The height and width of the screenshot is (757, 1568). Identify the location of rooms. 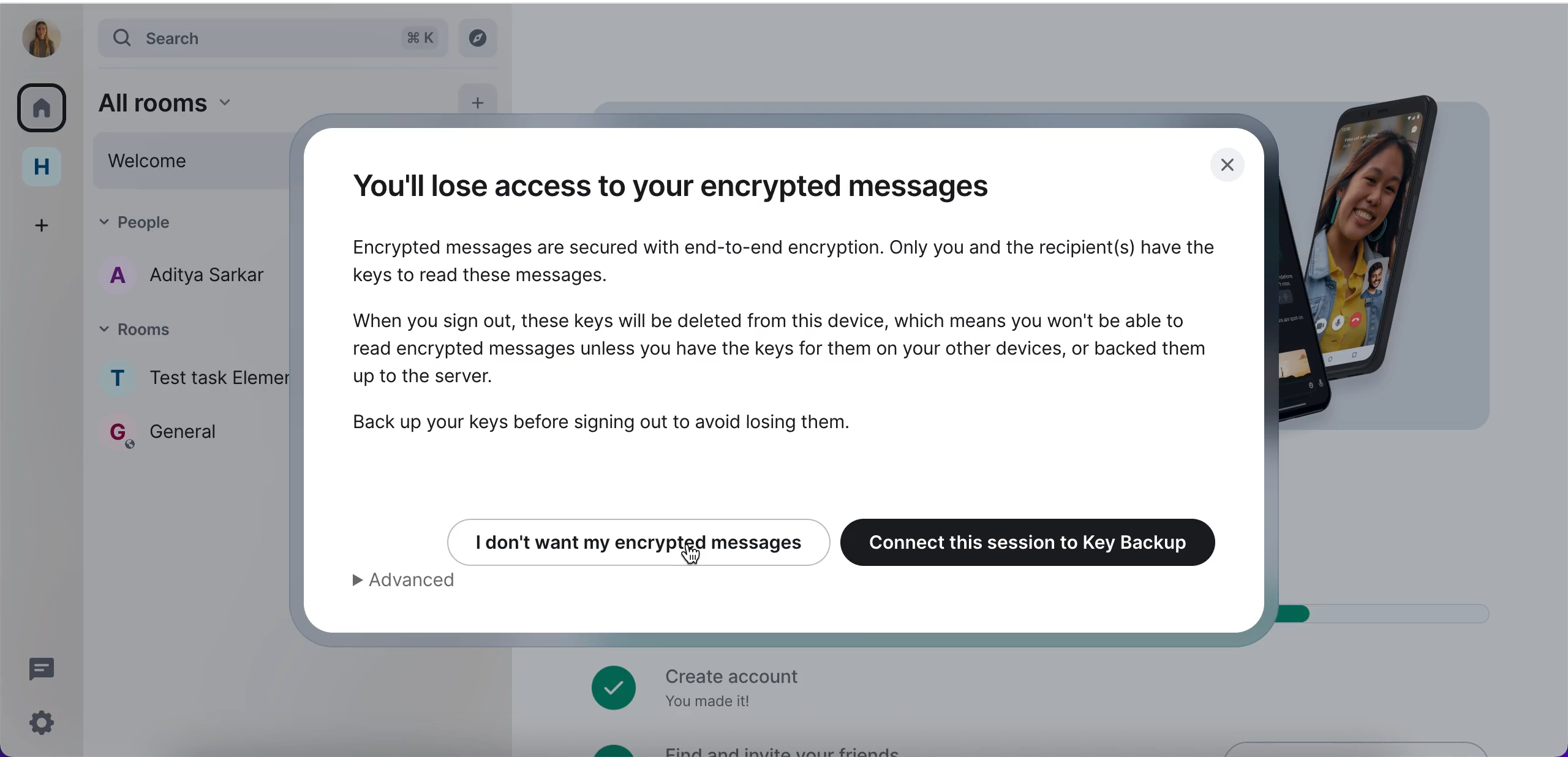
(45, 105).